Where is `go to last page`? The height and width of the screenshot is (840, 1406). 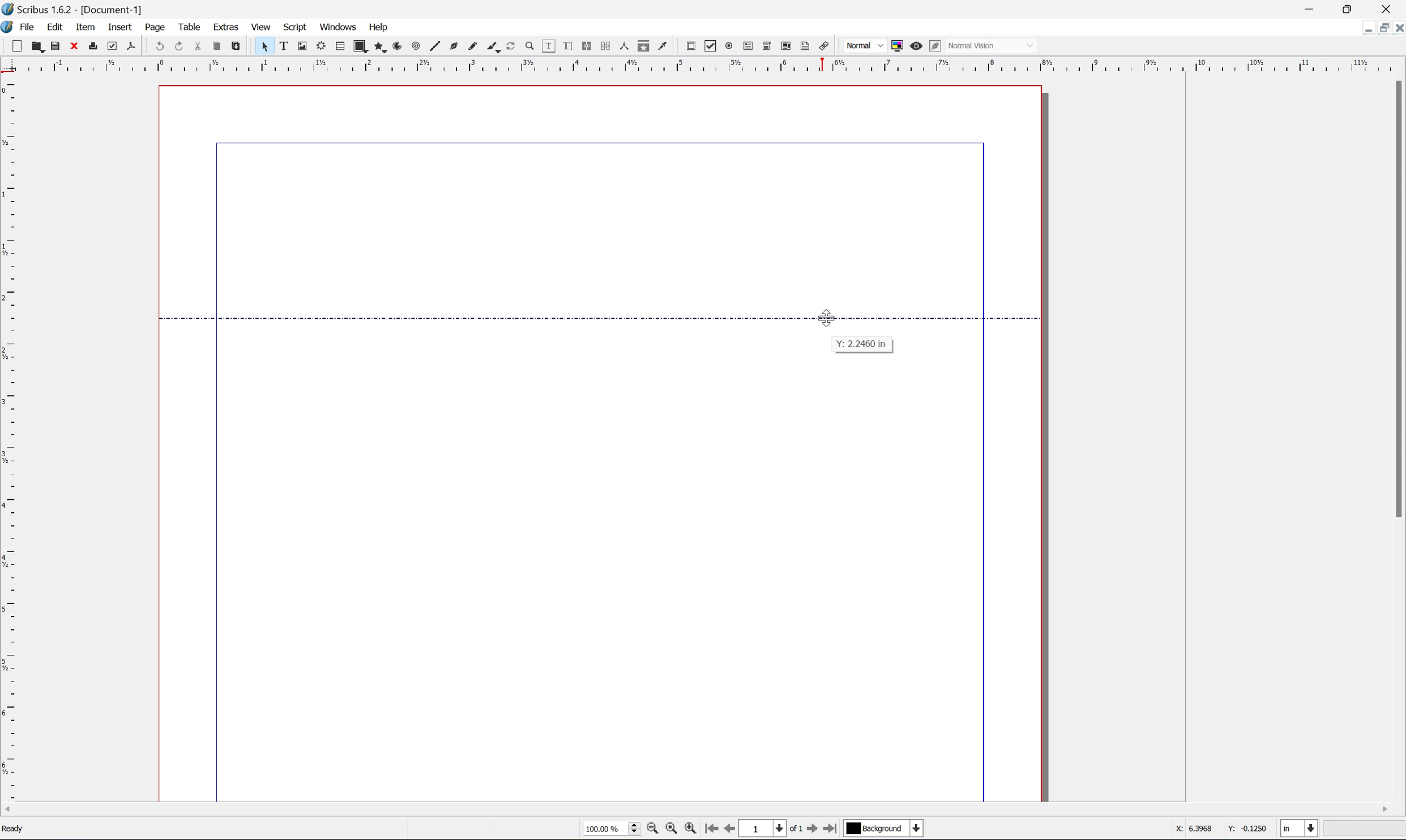 go to last page is located at coordinates (832, 830).